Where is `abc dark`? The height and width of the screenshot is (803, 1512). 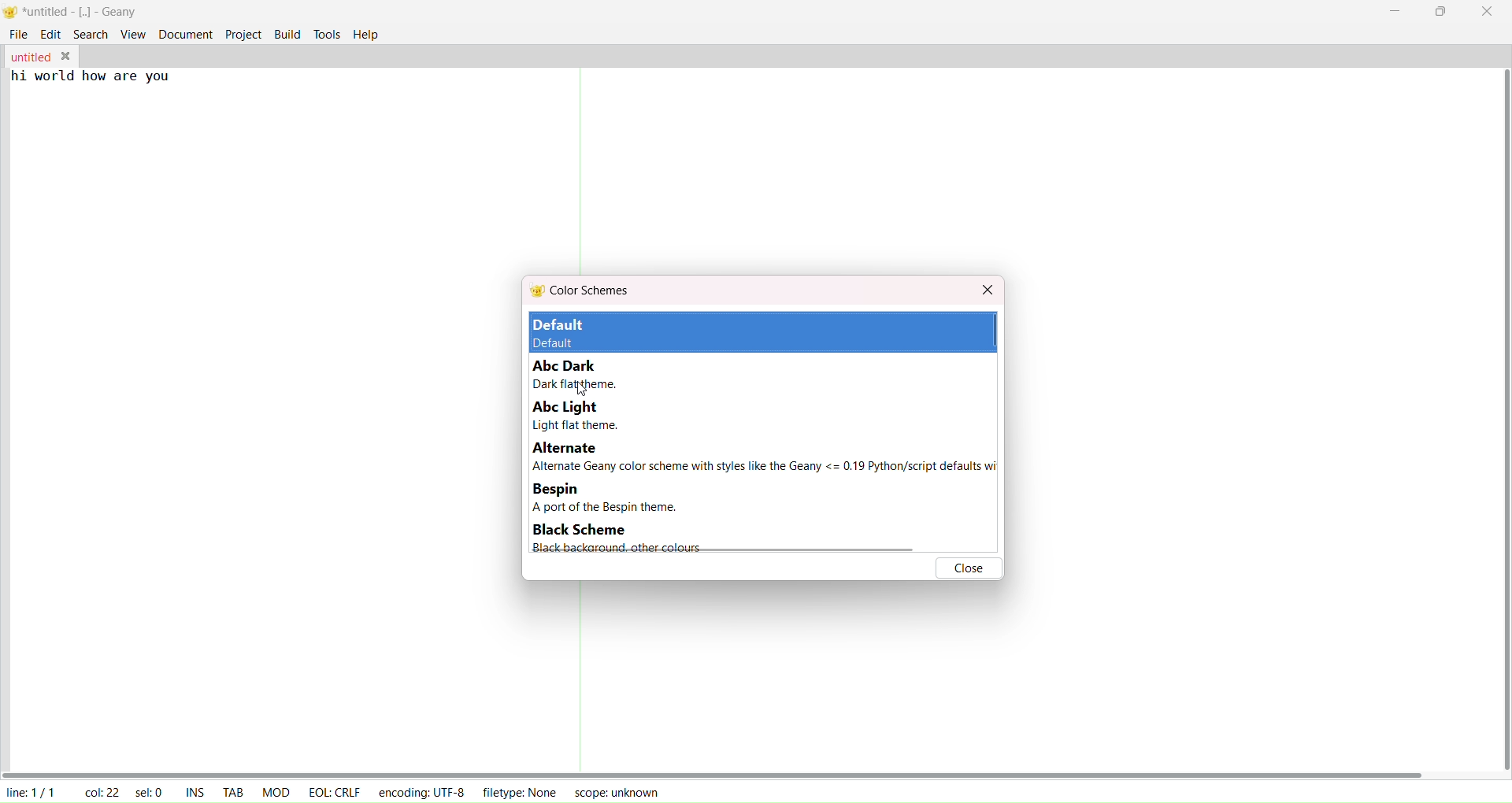 abc dark is located at coordinates (569, 365).